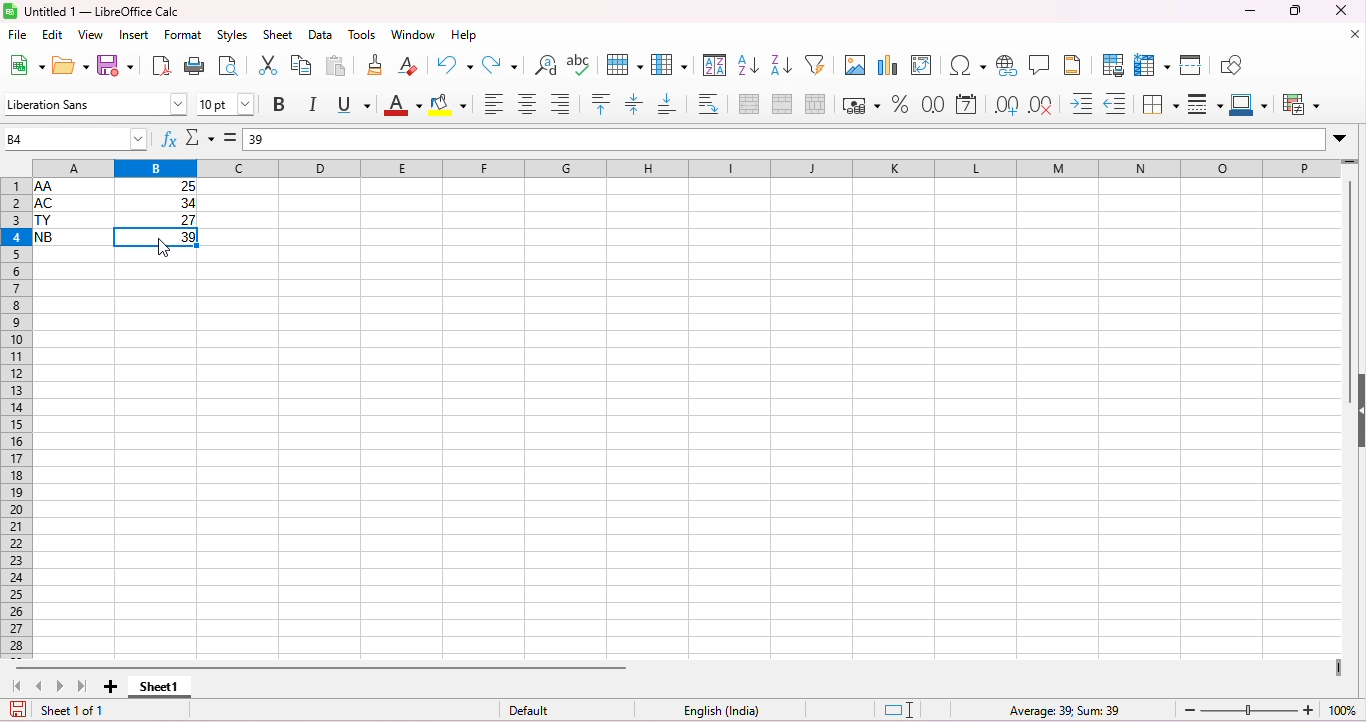  I want to click on last sheet, so click(82, 687).